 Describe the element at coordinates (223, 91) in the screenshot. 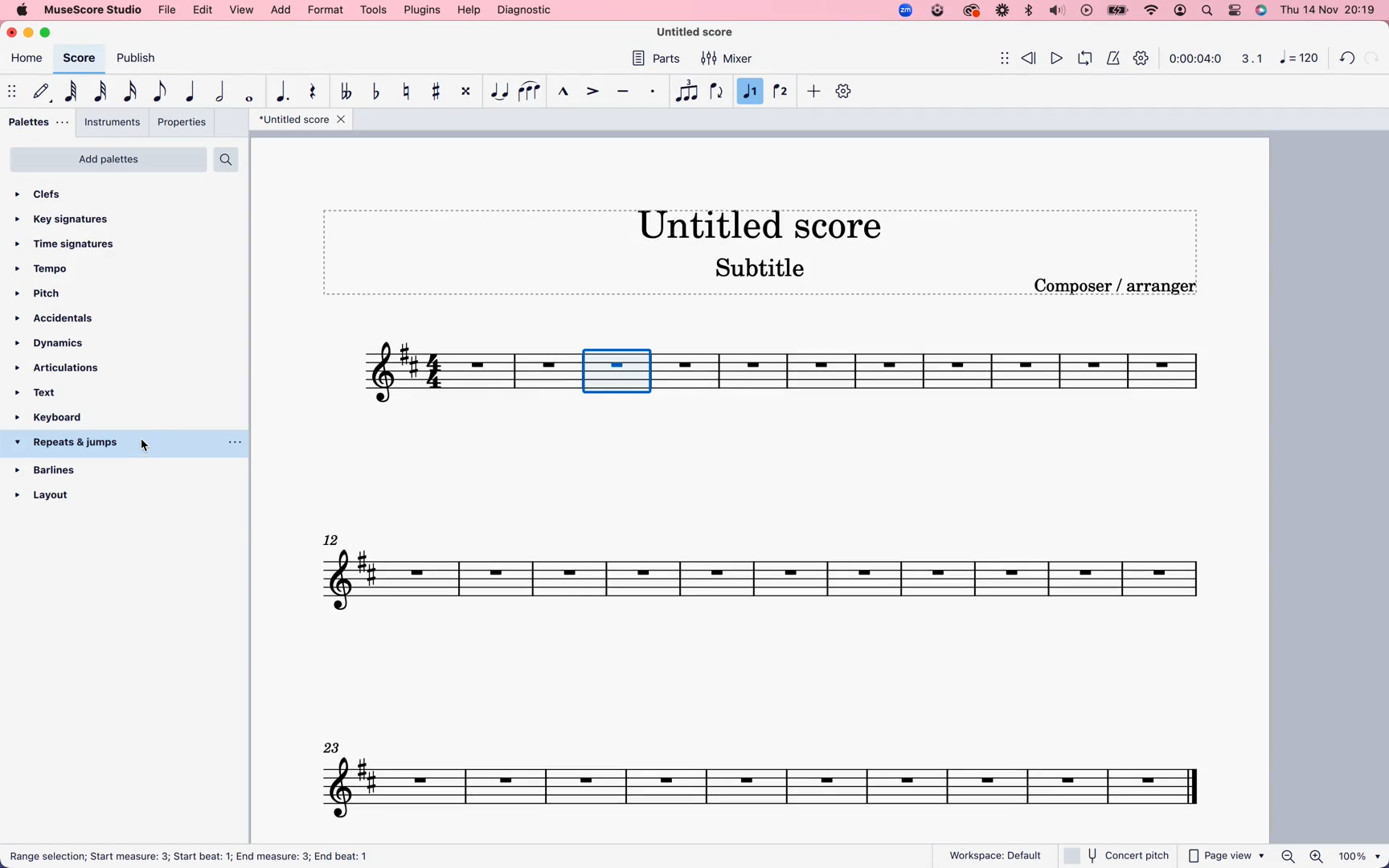

I see `half note` at that location.